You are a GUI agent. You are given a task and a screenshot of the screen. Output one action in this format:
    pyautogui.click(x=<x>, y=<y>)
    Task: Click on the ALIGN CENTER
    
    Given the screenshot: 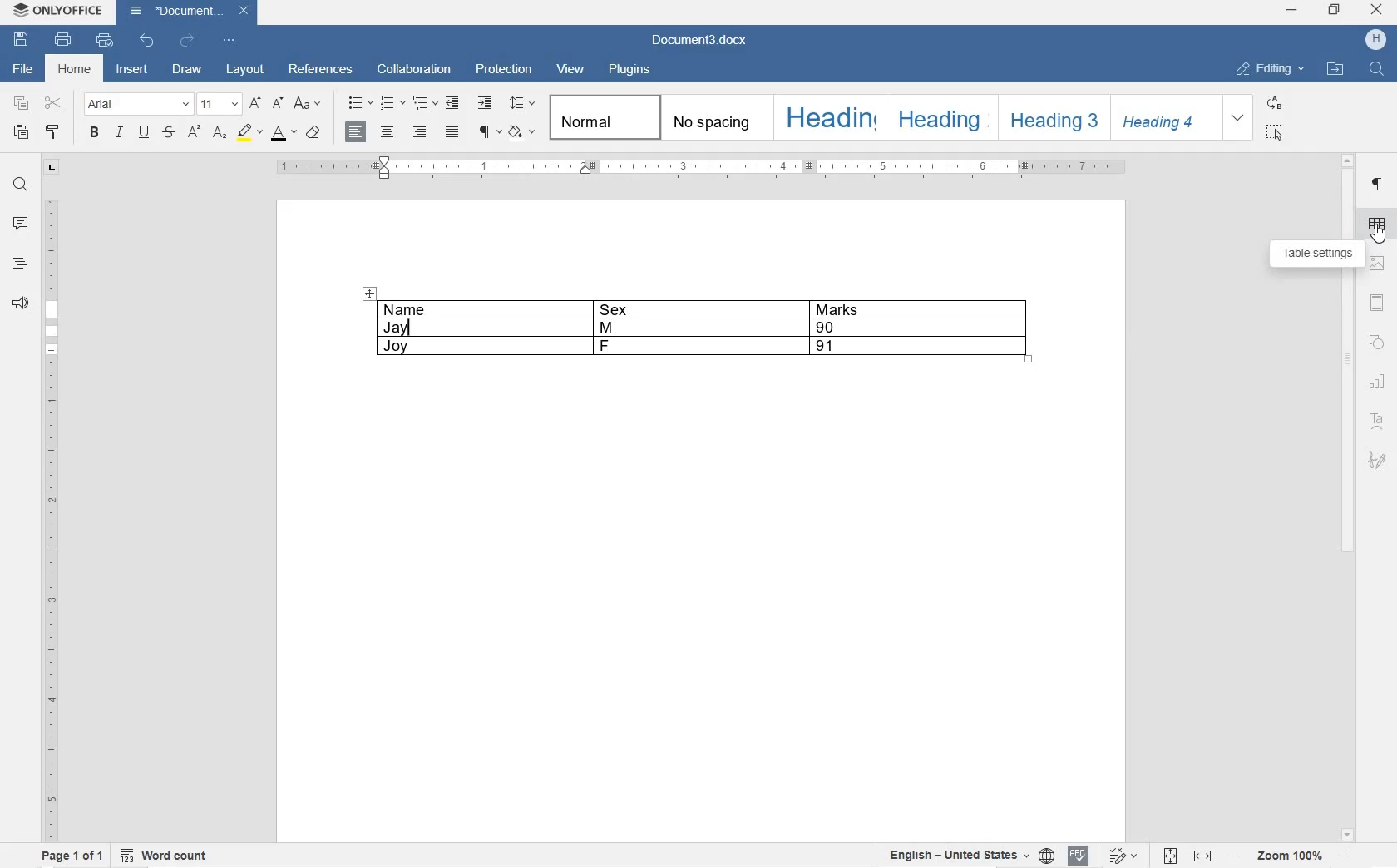 What is the action you would take?
    pyautogui.click(x=388, y=132)
    